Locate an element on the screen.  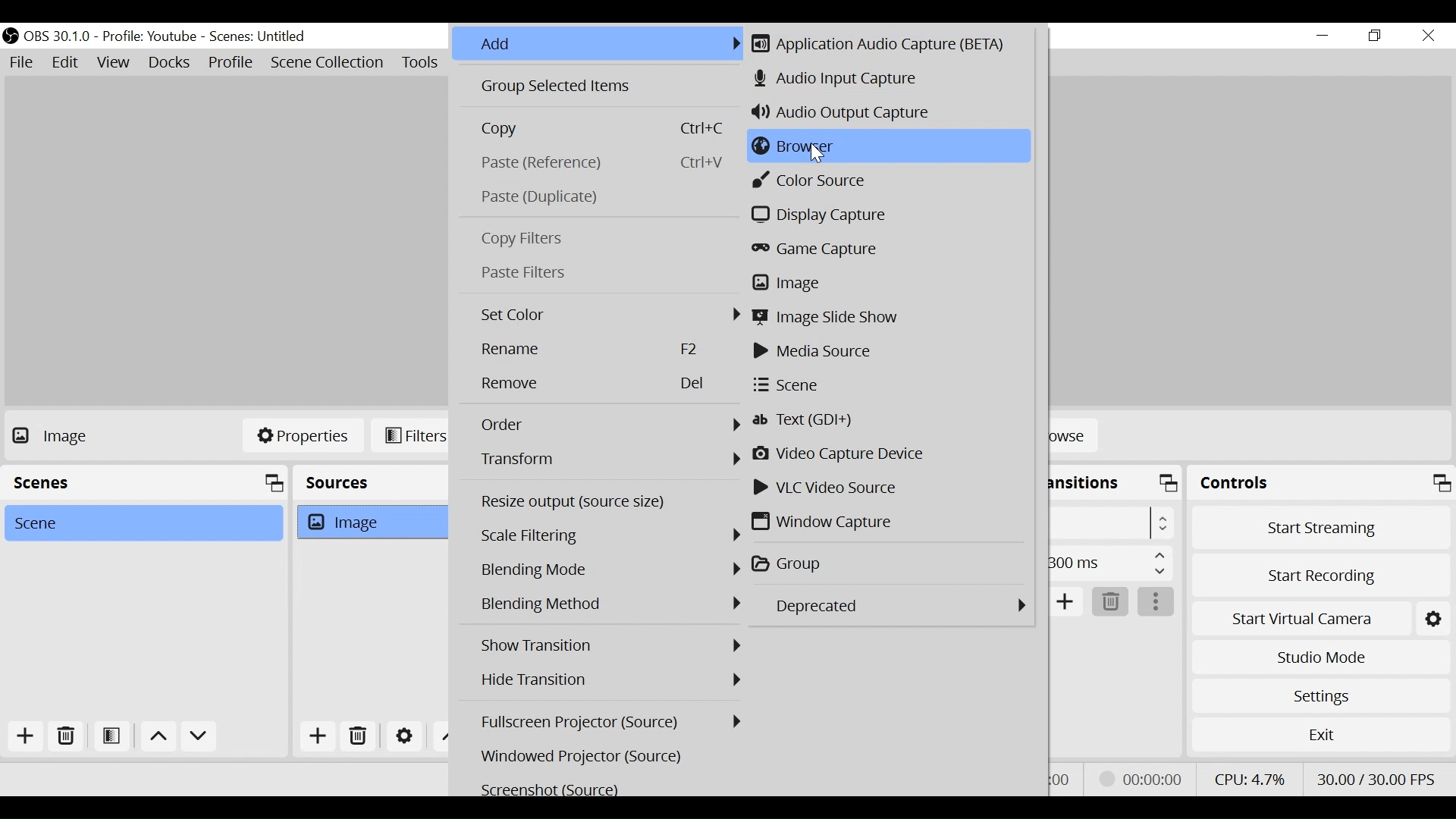
More Options is located at coordinates (1155, 601).